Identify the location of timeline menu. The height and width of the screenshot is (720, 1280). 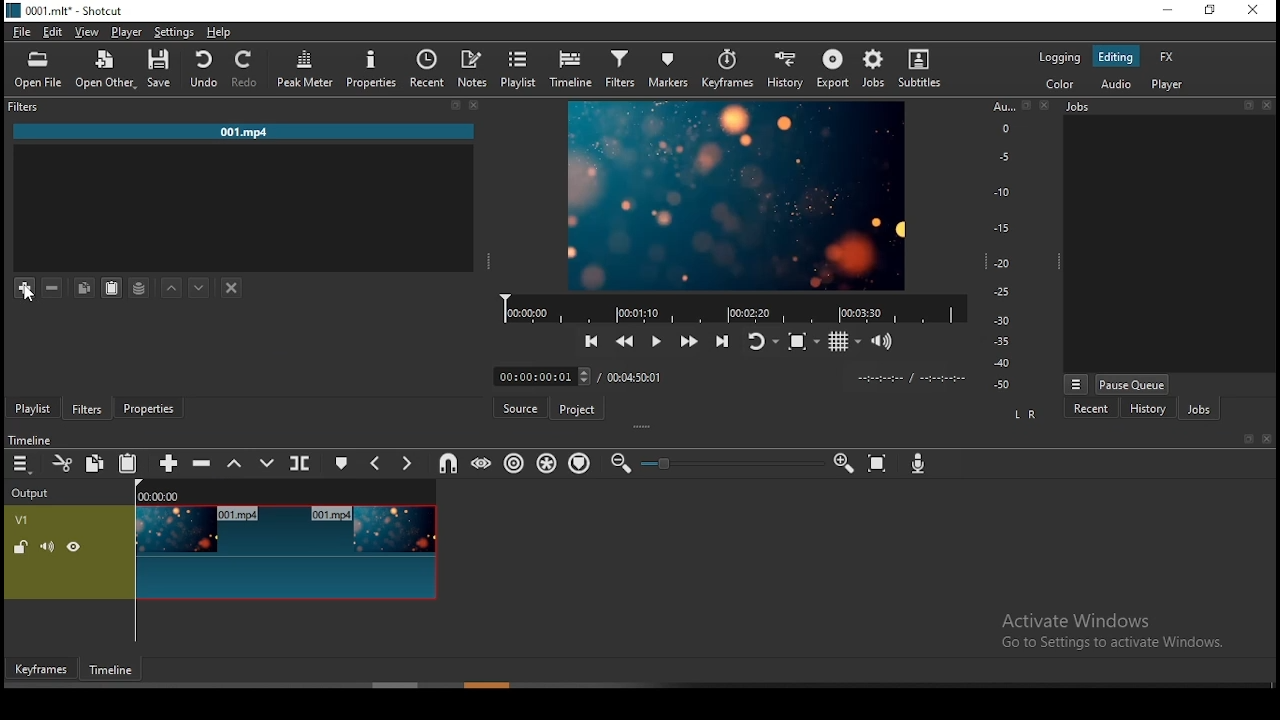
(23, 379).